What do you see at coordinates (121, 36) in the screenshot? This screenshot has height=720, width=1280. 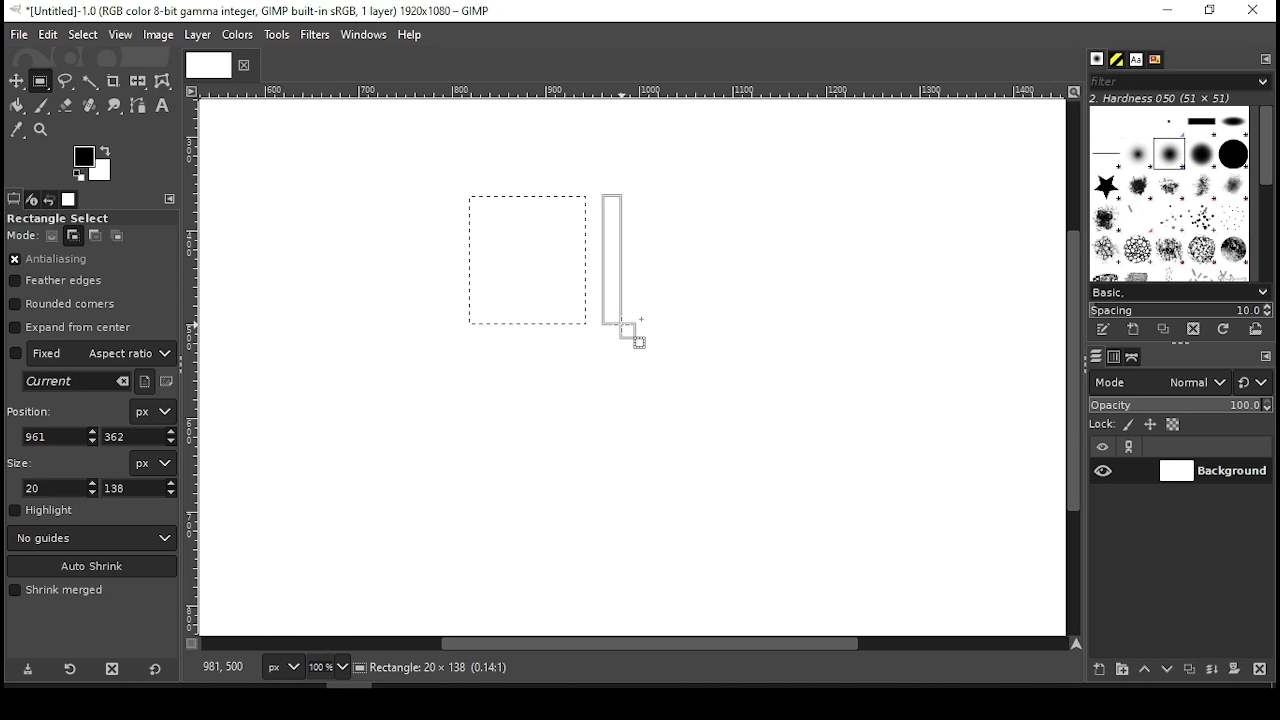 I see `view` at bounding box center [121, 36].